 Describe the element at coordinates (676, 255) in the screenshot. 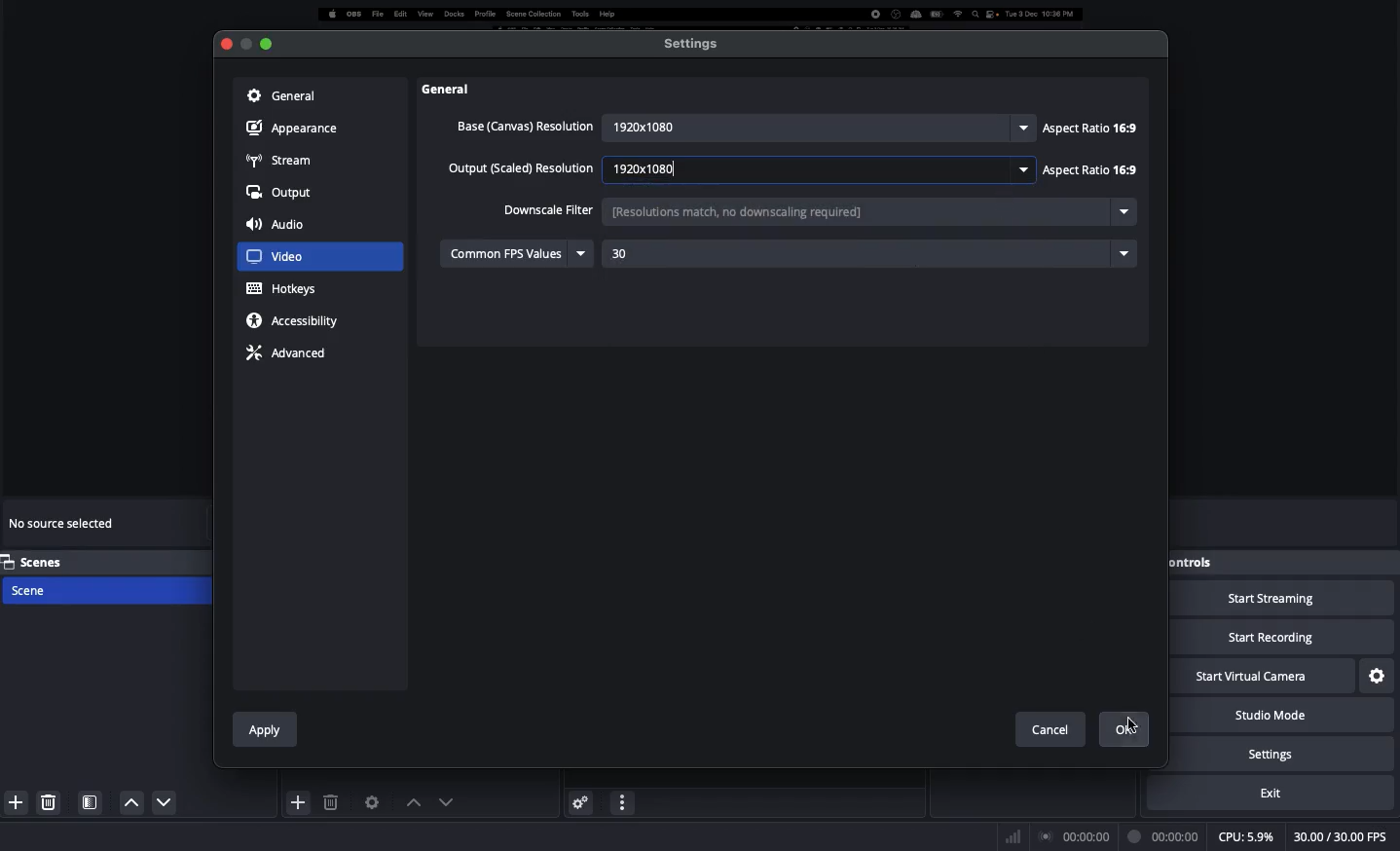

I see `30` at that location.